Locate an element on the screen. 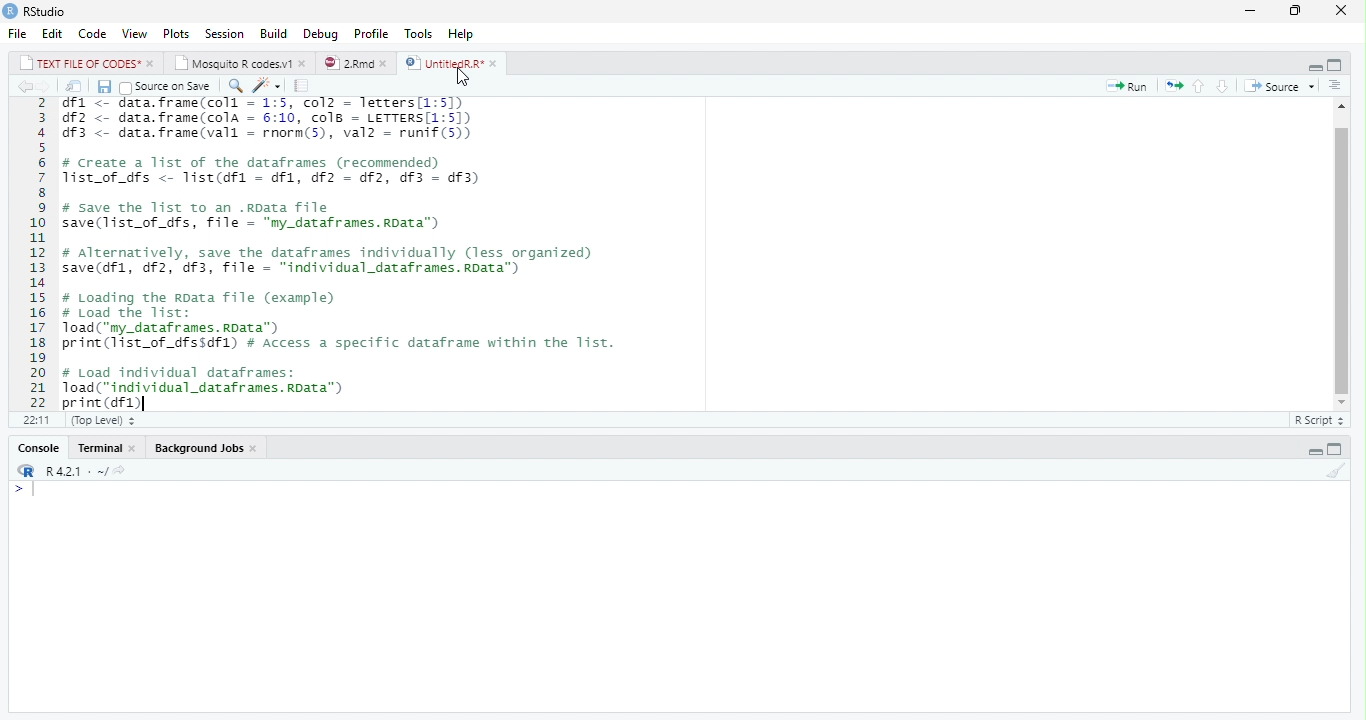 Image resolution: width=1366 pixels, height=720 pixels. Minimize is located at coordinates (1252, 10).